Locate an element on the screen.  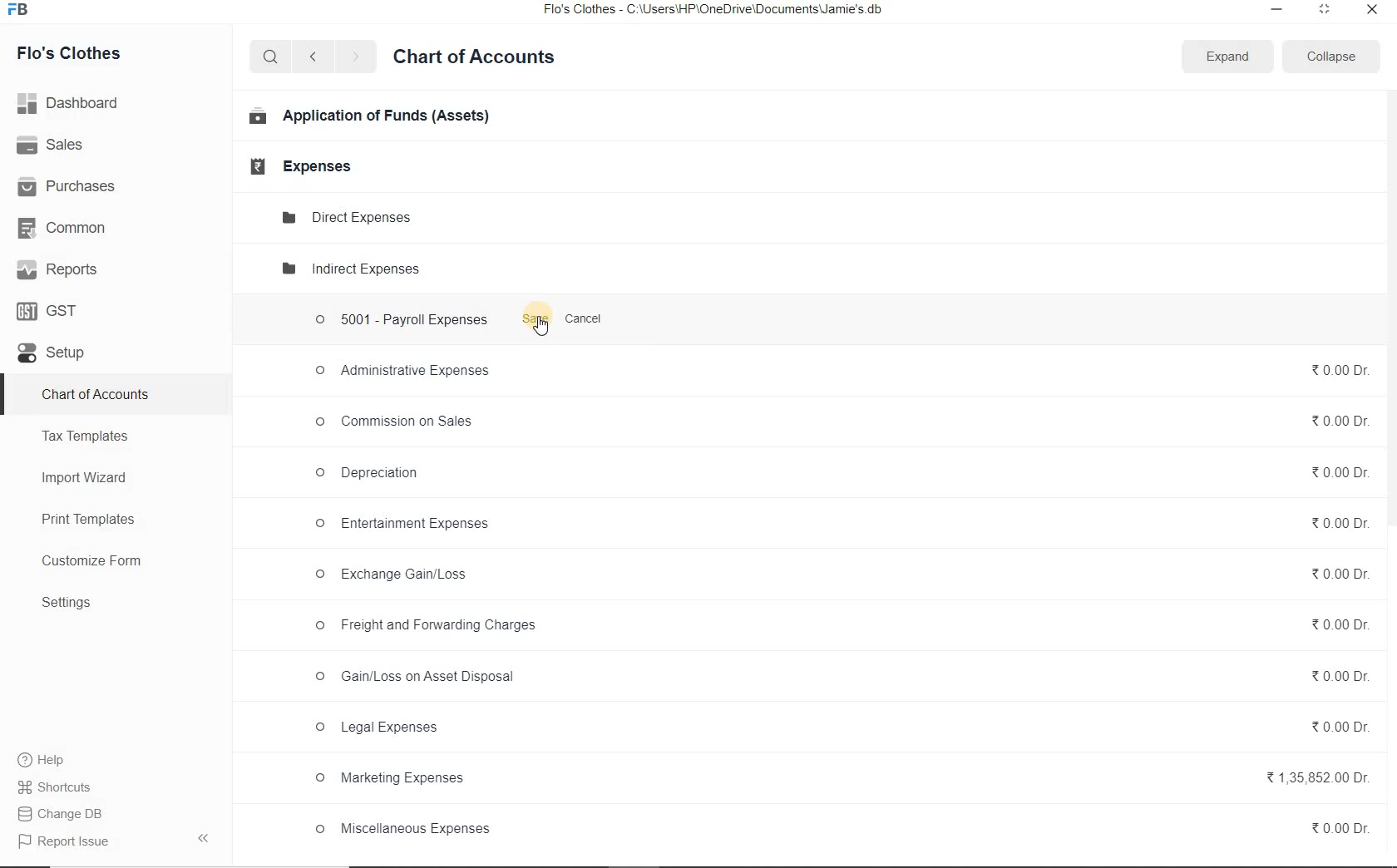
 Change DB is located at coordinates (70, 813).